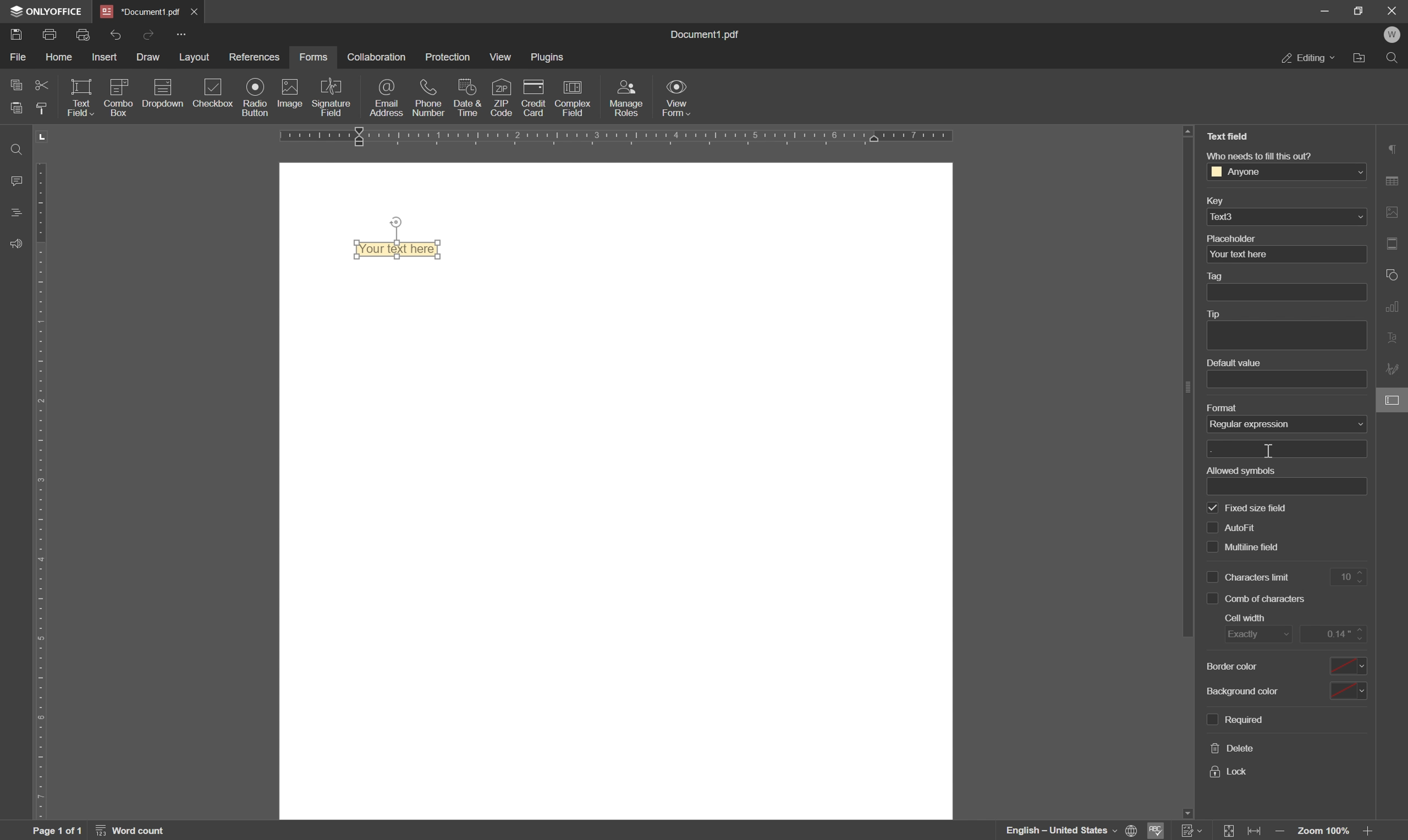  I want to click on form settings, so click(1394, 402).